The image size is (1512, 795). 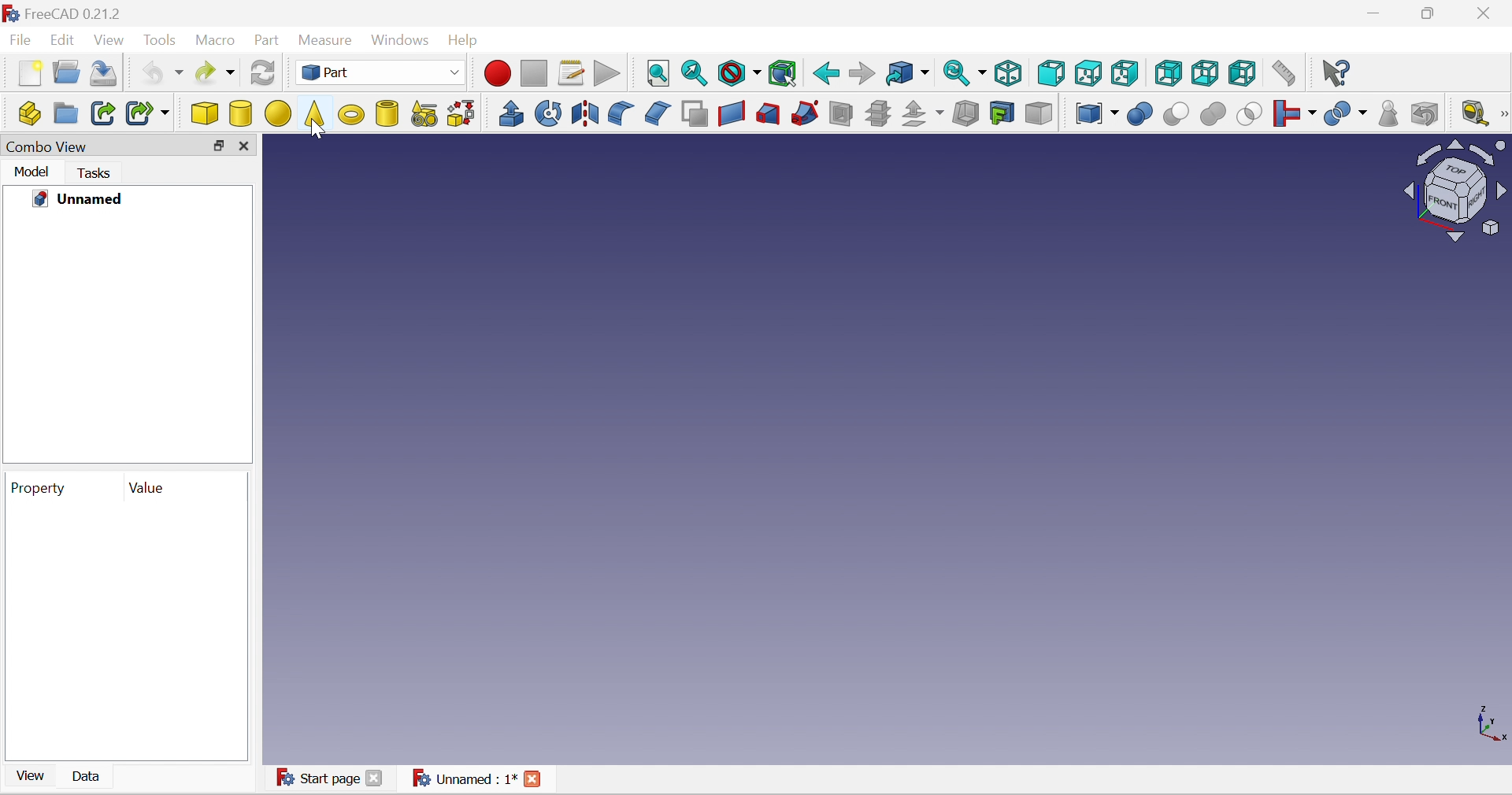 What do you see at coordinates (1140, 113) in the screenshot?
I see `Boolean` at bounding box center [1140, 113].